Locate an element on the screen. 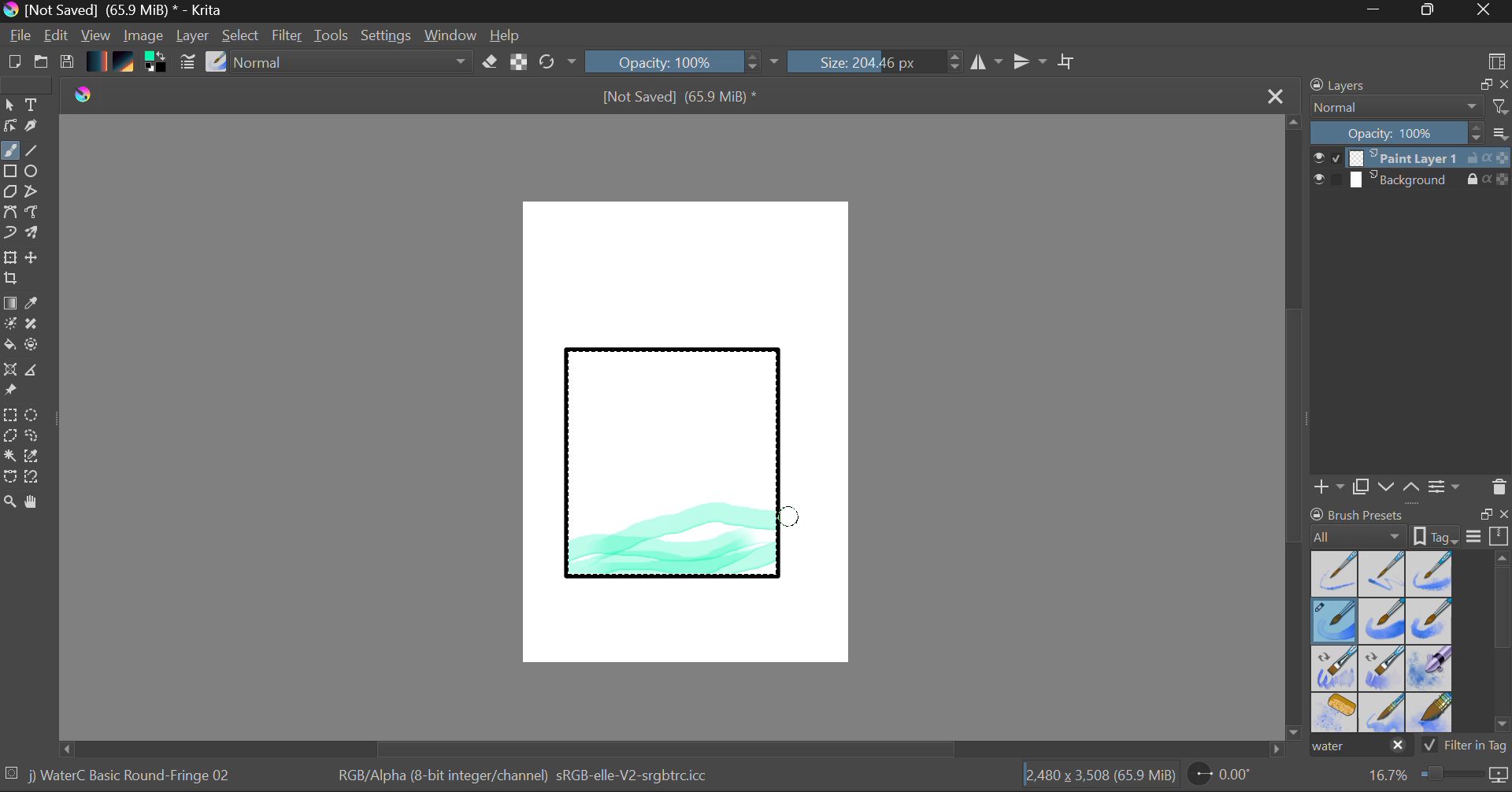  Save is located at coordinates (66, 63).